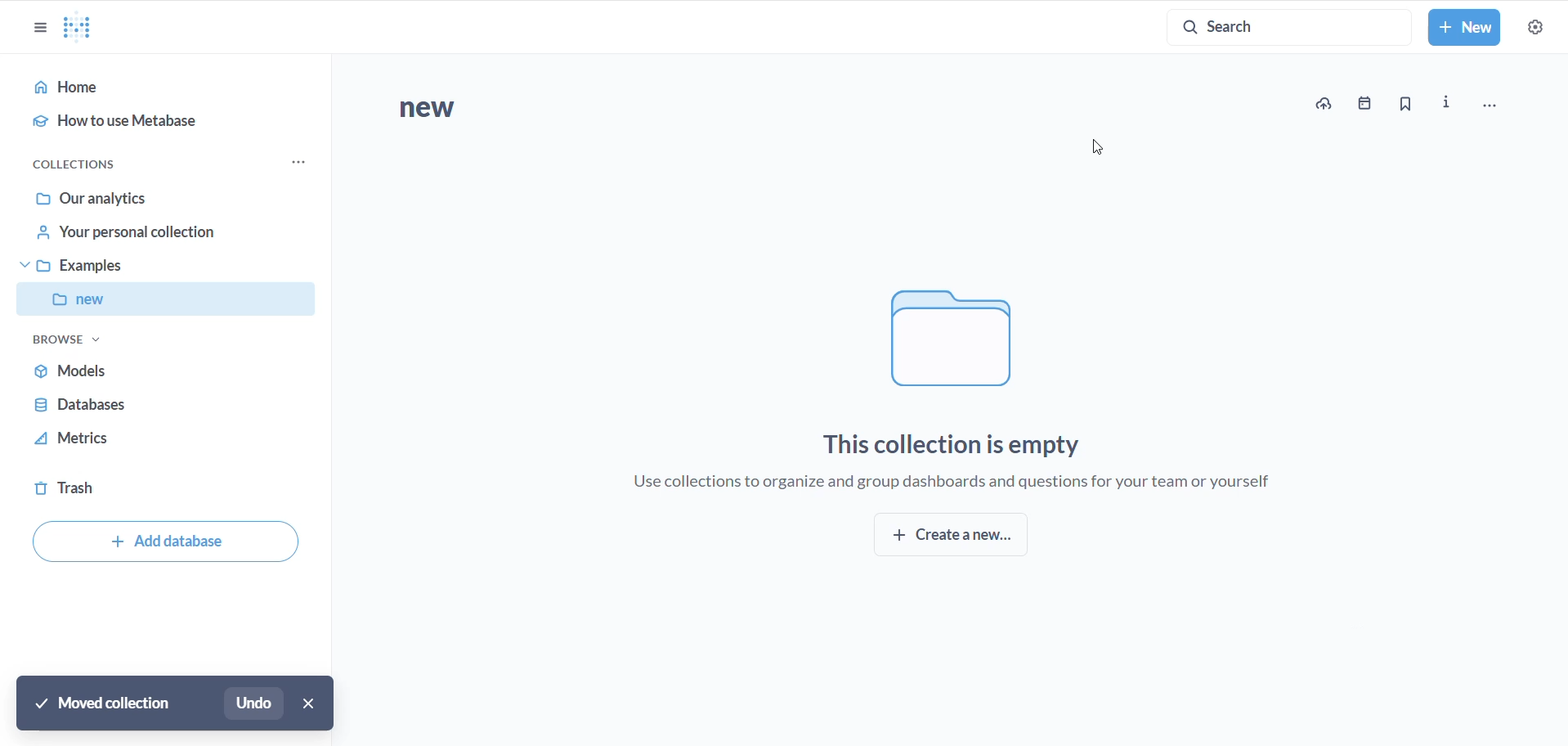 The width and height of the screenshot is (1568, 746). Describe the element at coordinates (159, 88) in the screenshot. I see `home` at that location.